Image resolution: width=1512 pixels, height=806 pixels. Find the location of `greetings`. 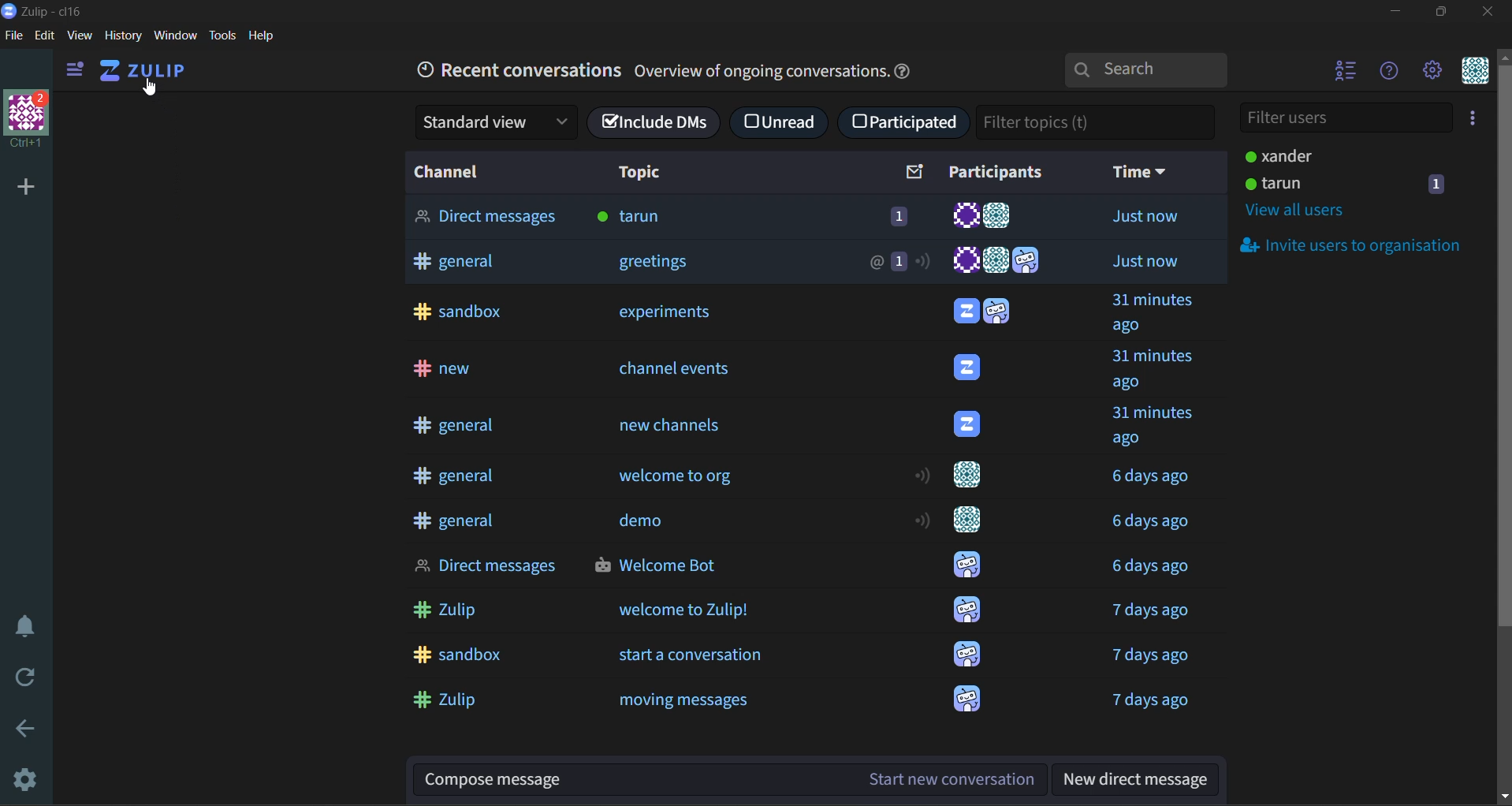

greetings is located at coordinates (655, 263).